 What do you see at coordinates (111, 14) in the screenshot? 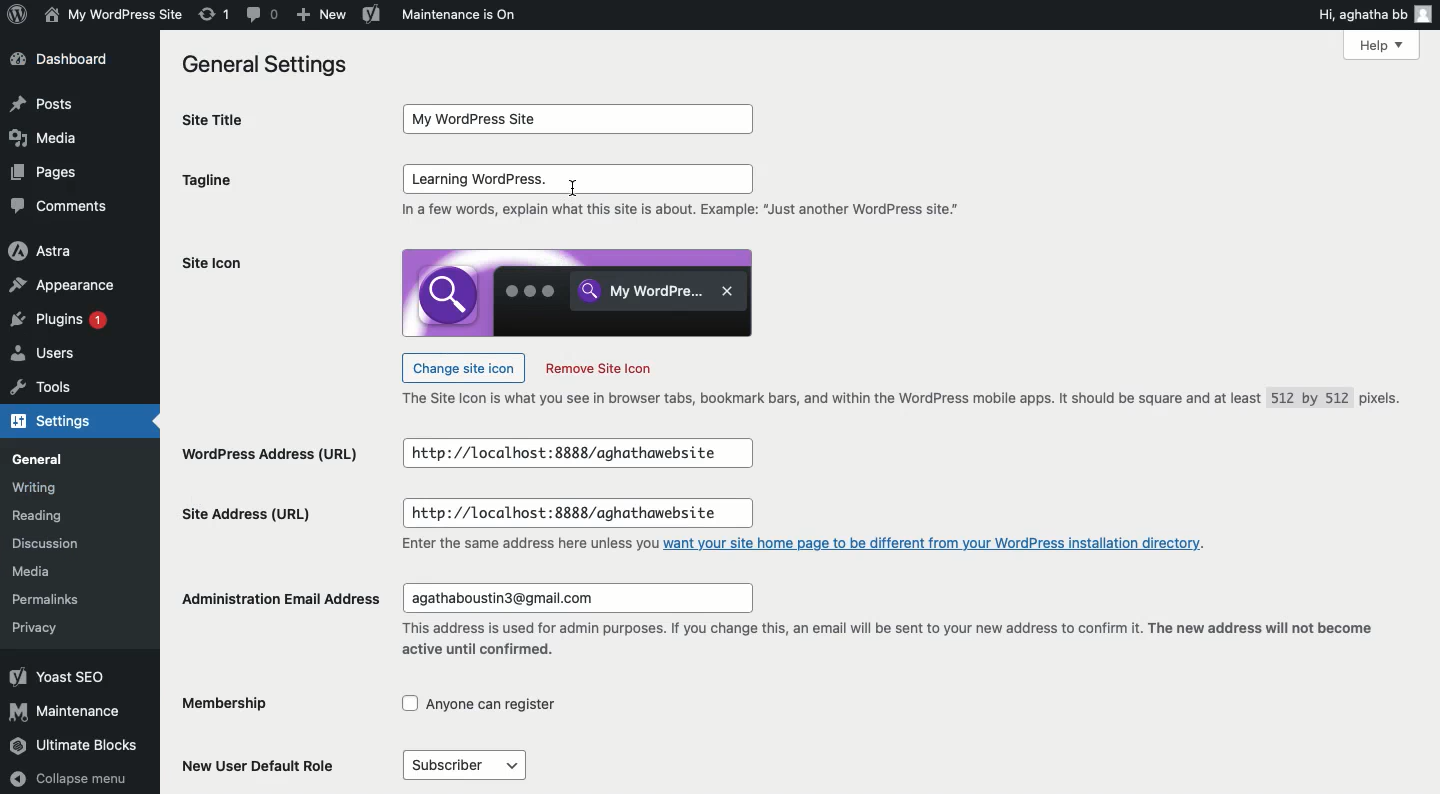
I see `My WordPress Site` at bounding box center [111, 14].